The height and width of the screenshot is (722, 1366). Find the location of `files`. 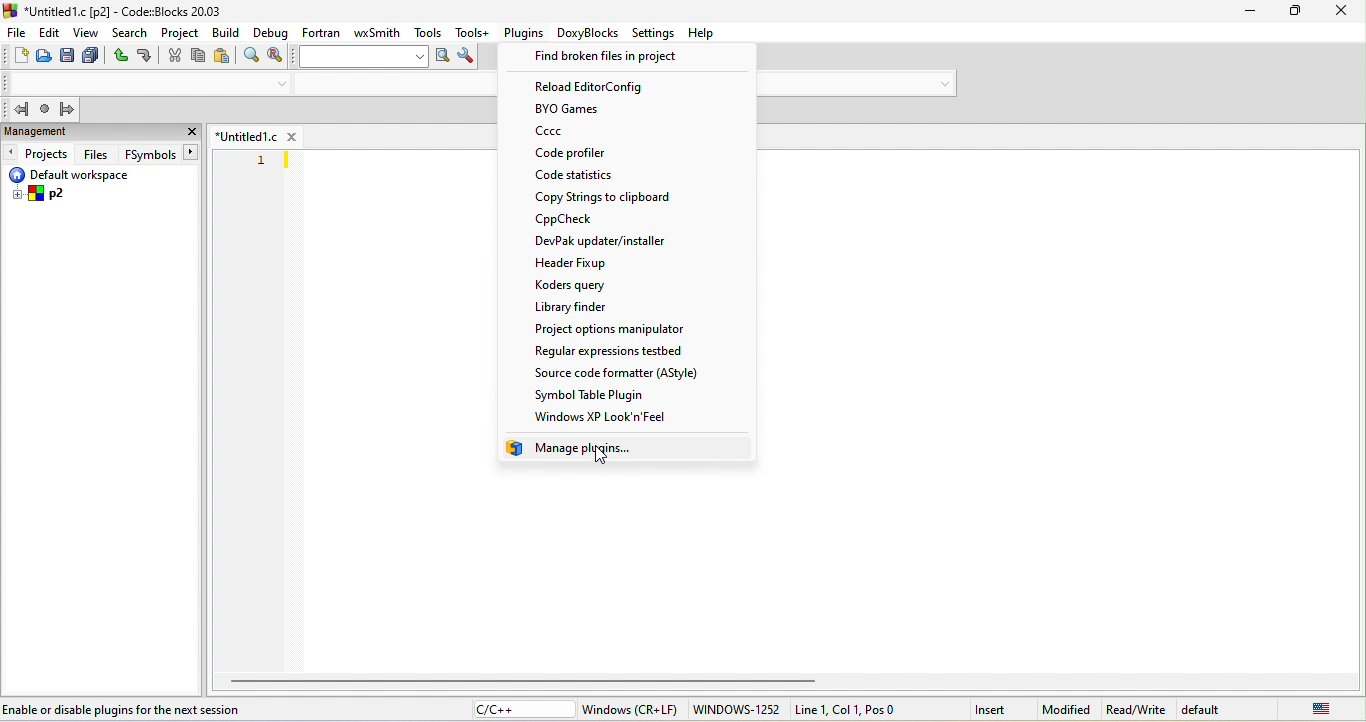

files is located at coordinates (96, 154).